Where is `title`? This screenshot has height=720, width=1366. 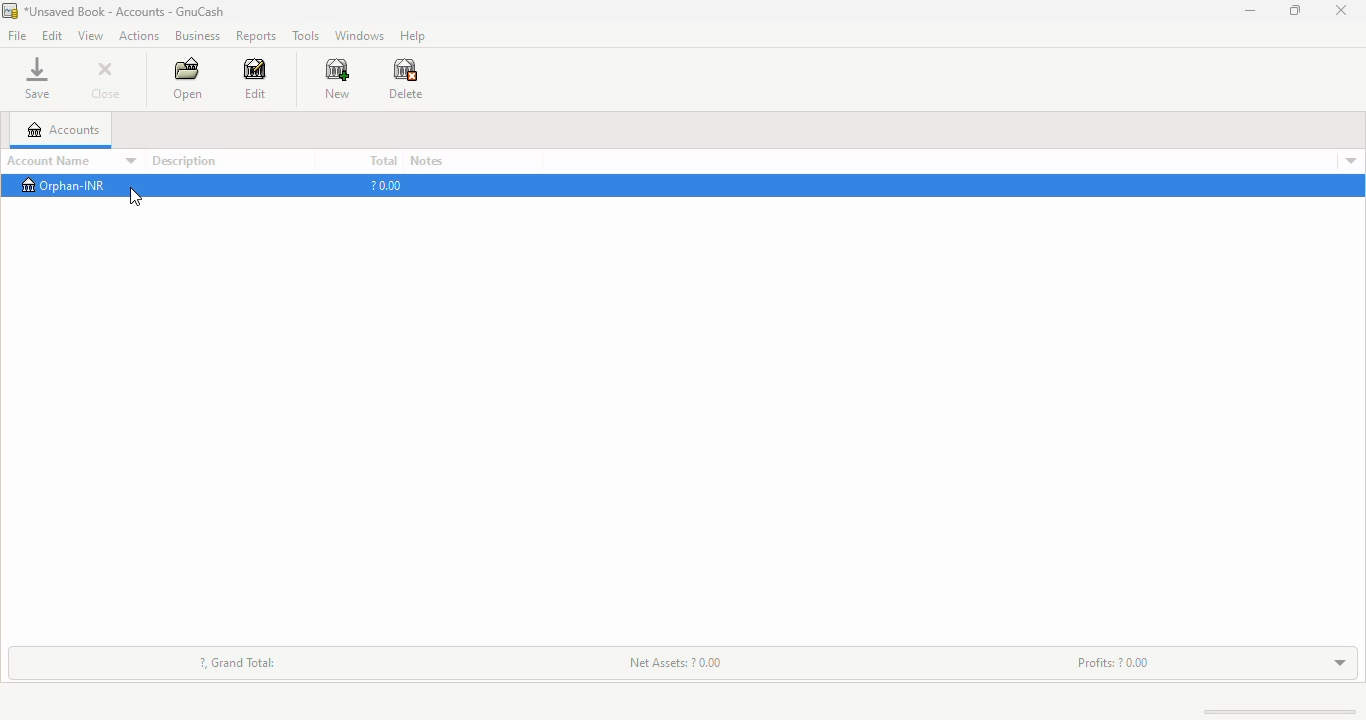
title is located at coordinates (125, 12).